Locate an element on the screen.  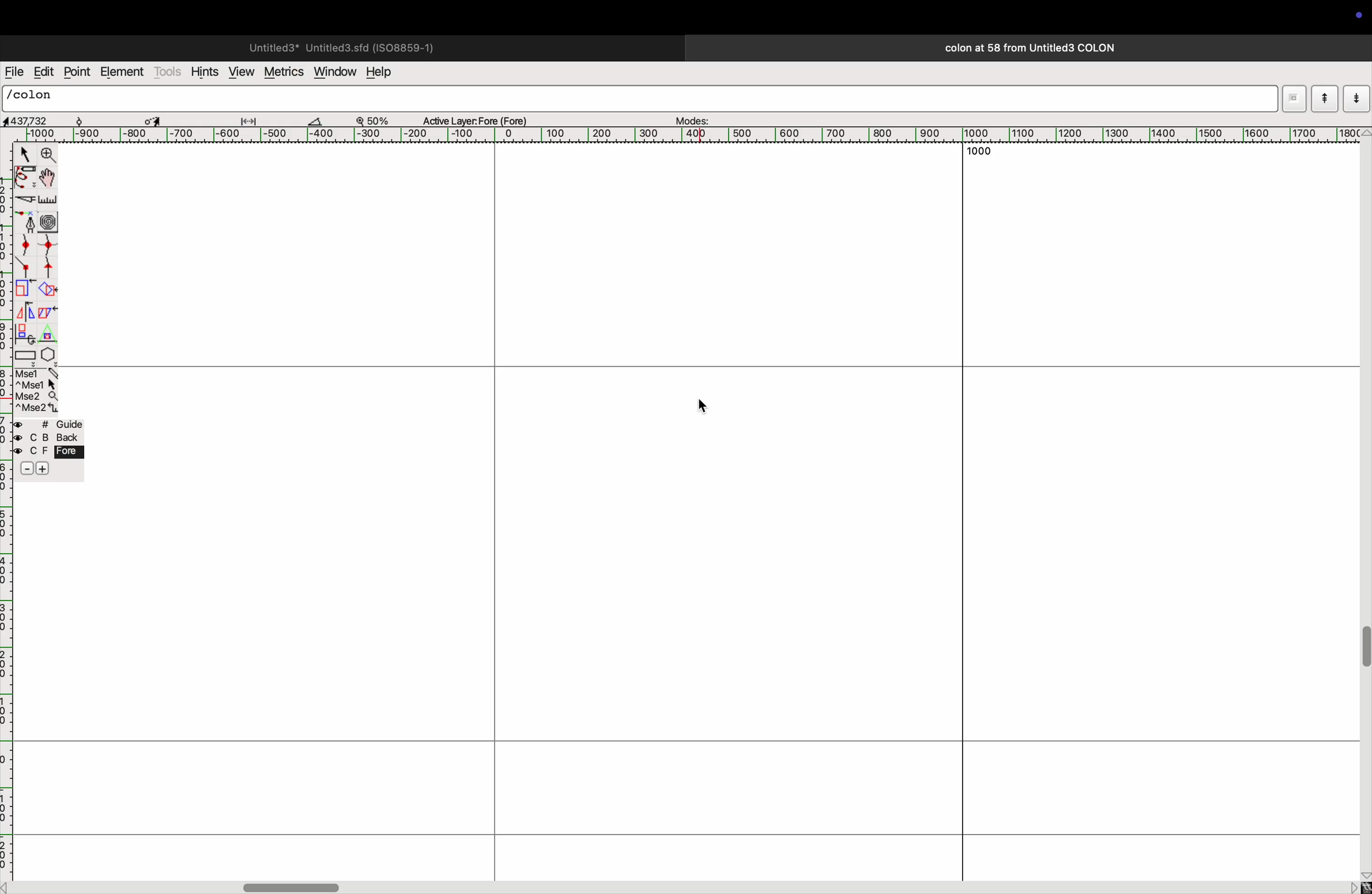
minimize is located at coordinates (24, 290).